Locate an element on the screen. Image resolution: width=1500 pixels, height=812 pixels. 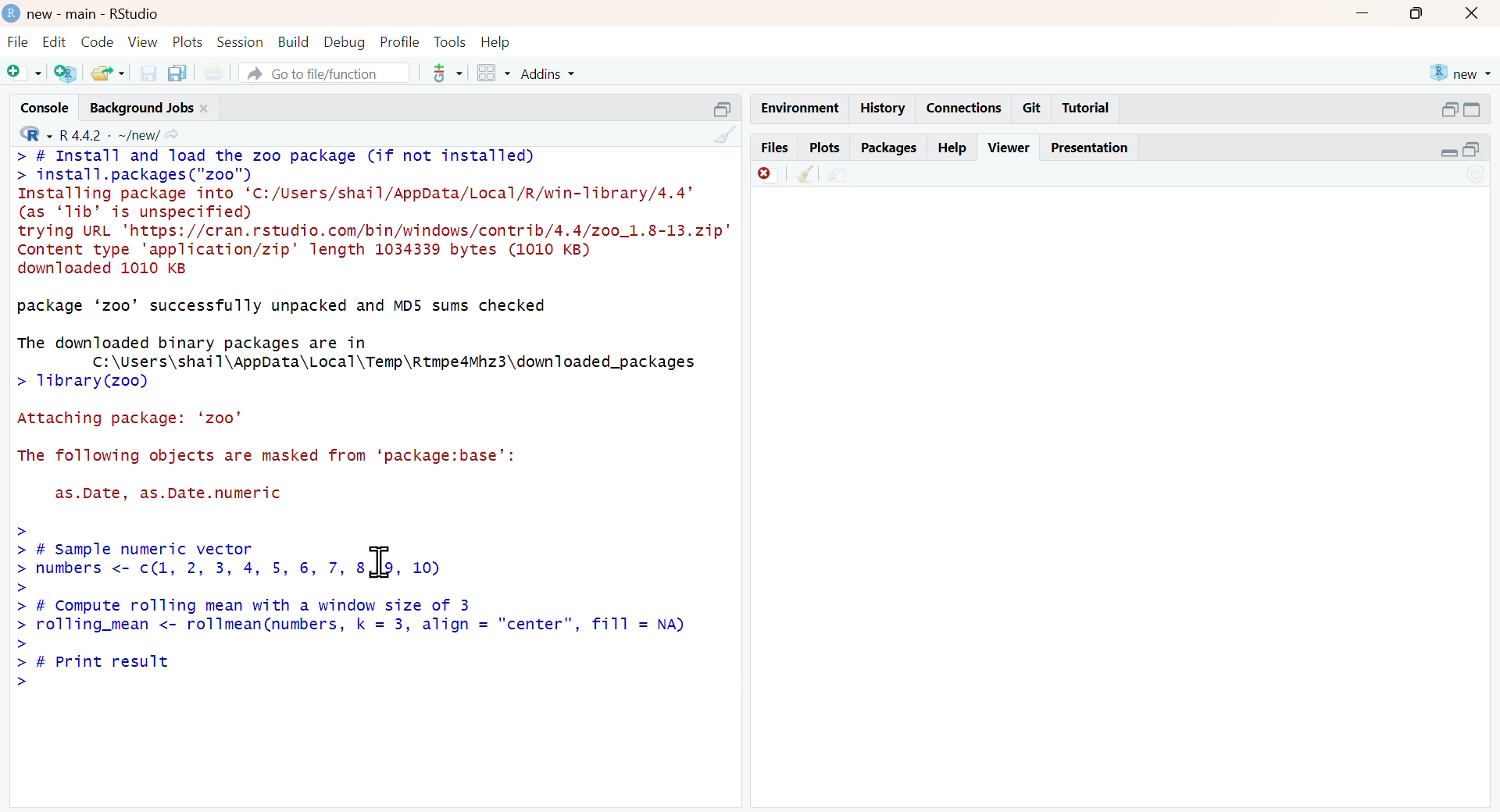
minimise is located at coordinates (1363, 12).